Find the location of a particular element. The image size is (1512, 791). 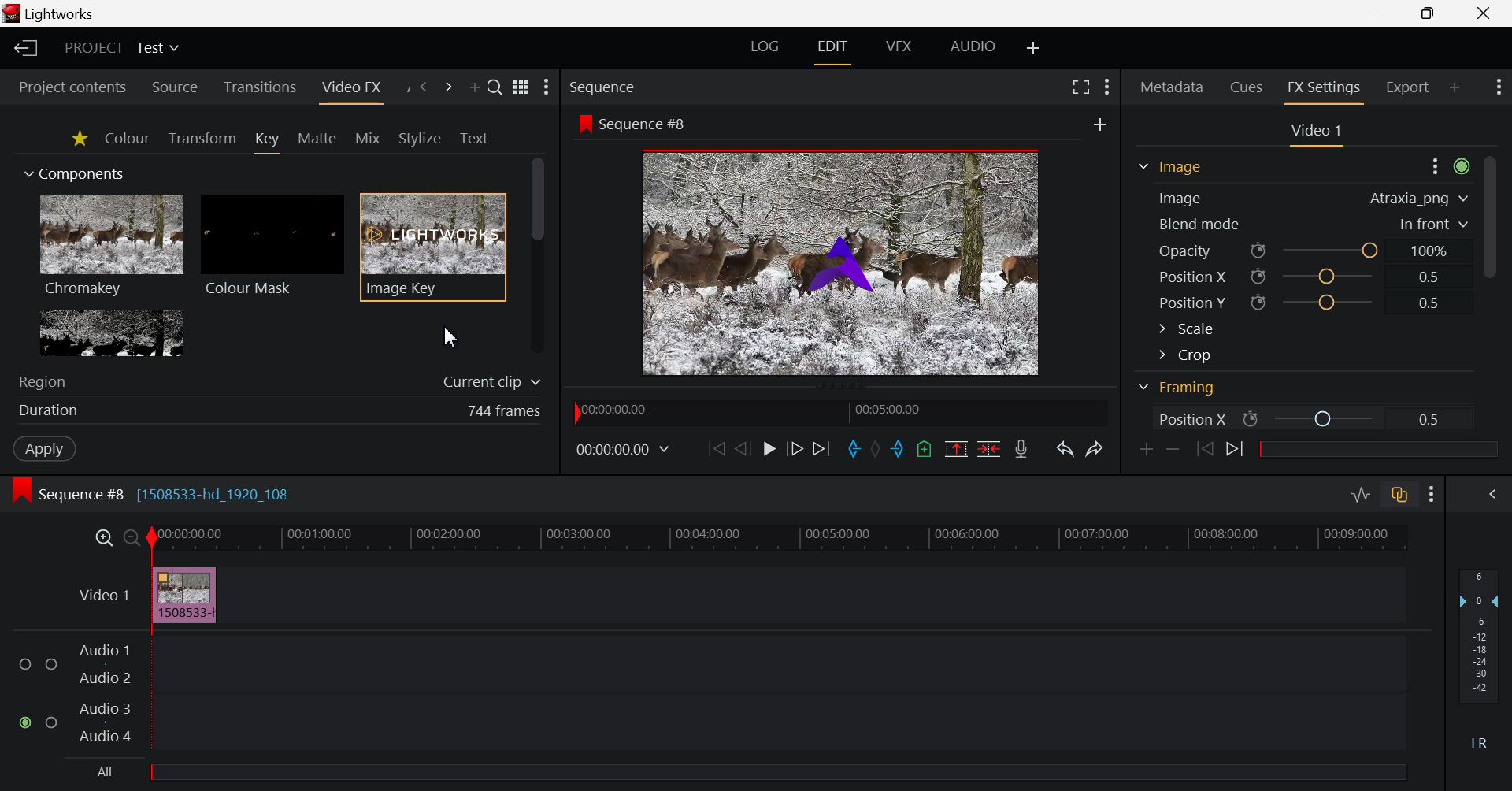

Show Settings is located at coordinates (550, 91).